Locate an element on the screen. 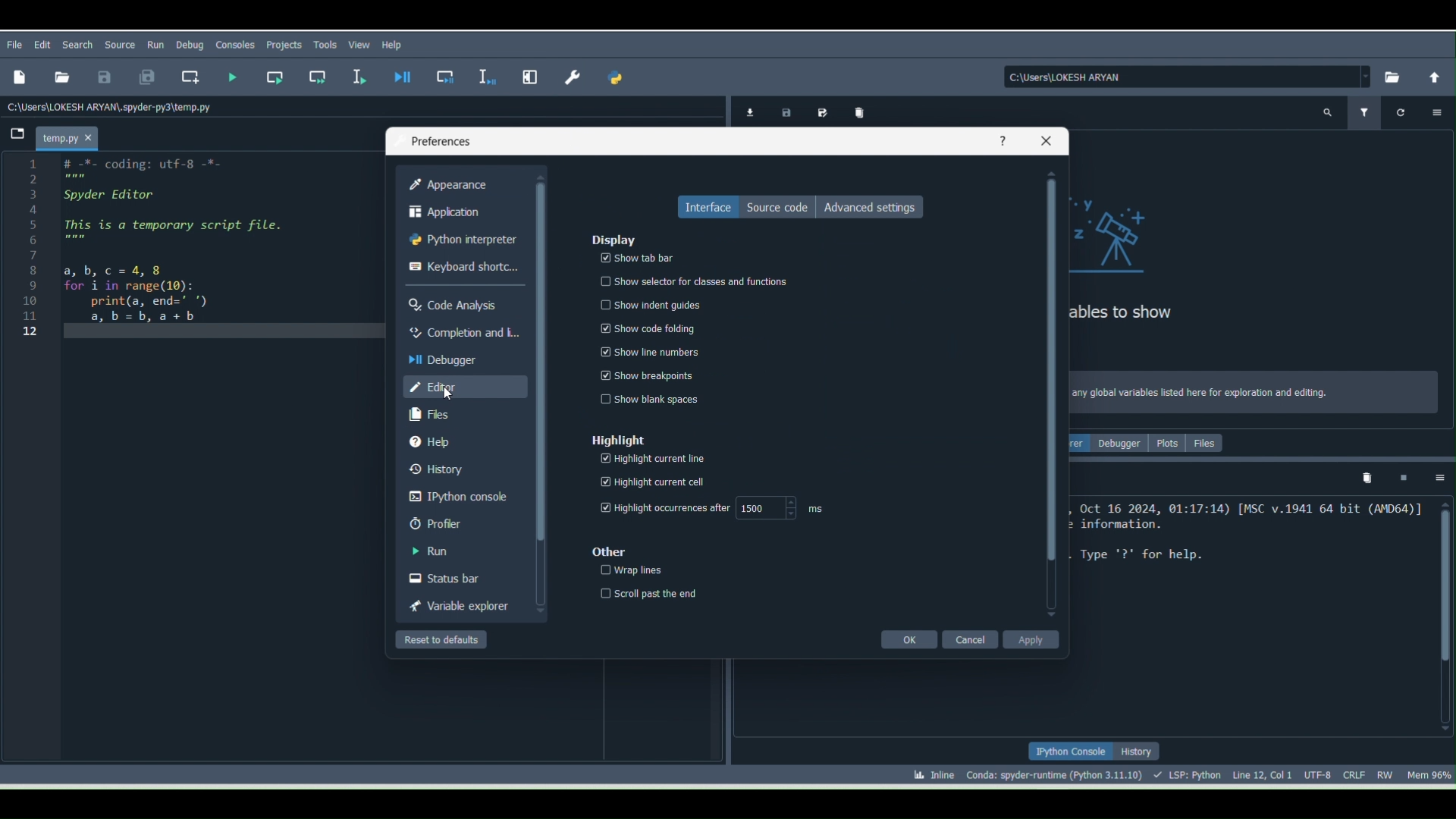  Run is located at coordinates (464, 549).